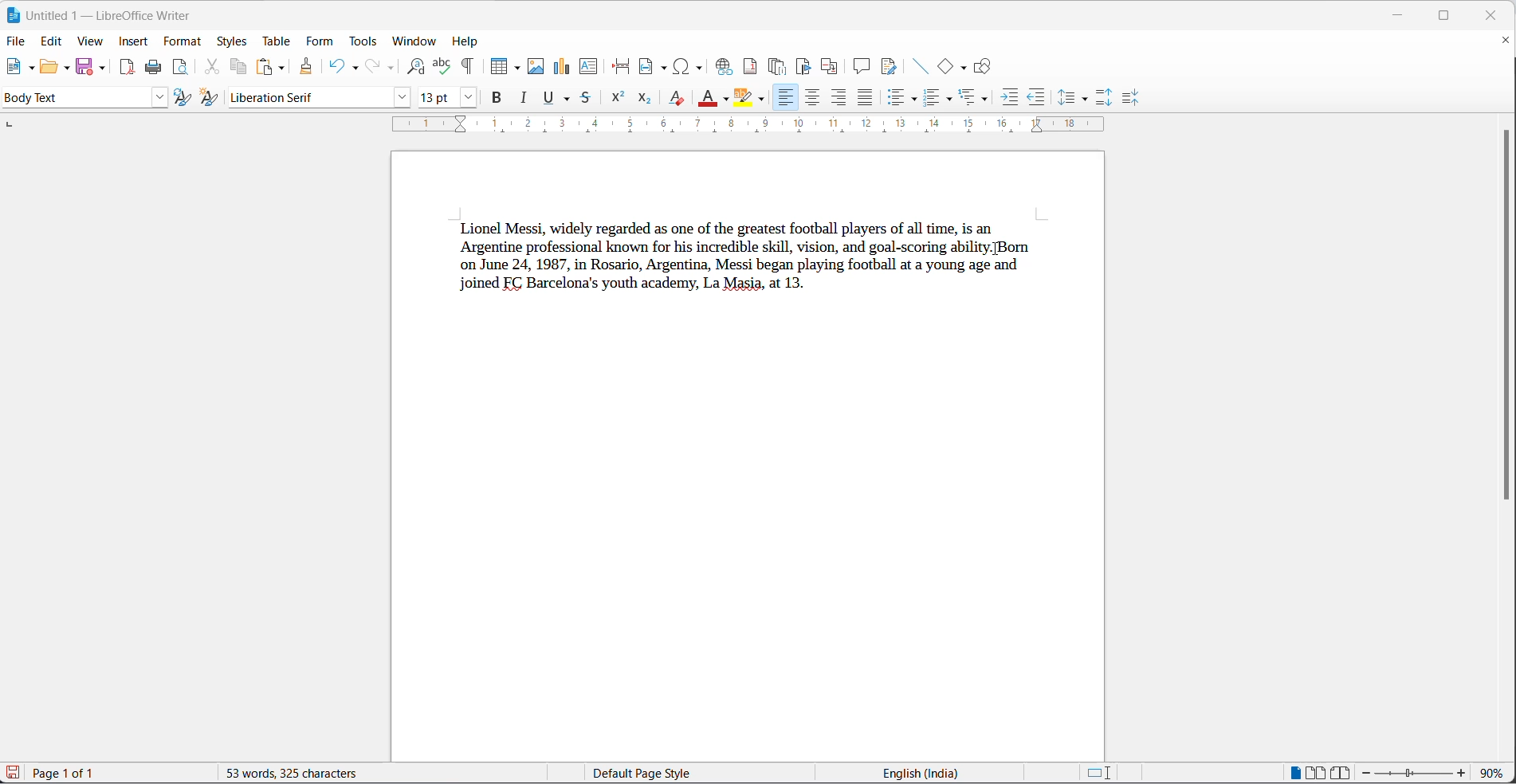 The height and width of the screenshot is (784, 1516). I want to click on insert endnote, so click(779, 68).